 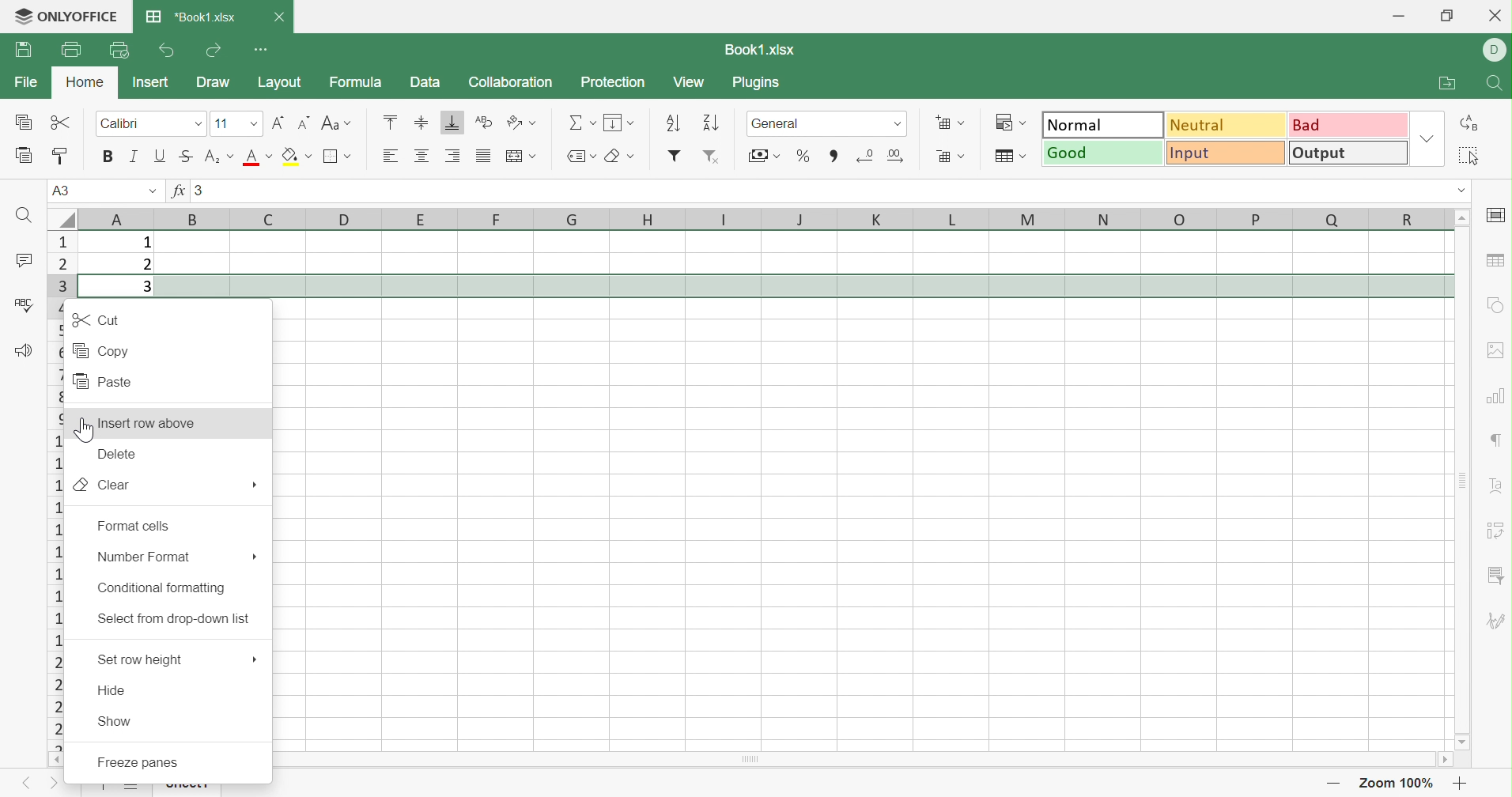 What do you see at coordinates (100, 788) in the screenshot?
I see `Add sheet` at bounding box center [100, 788].